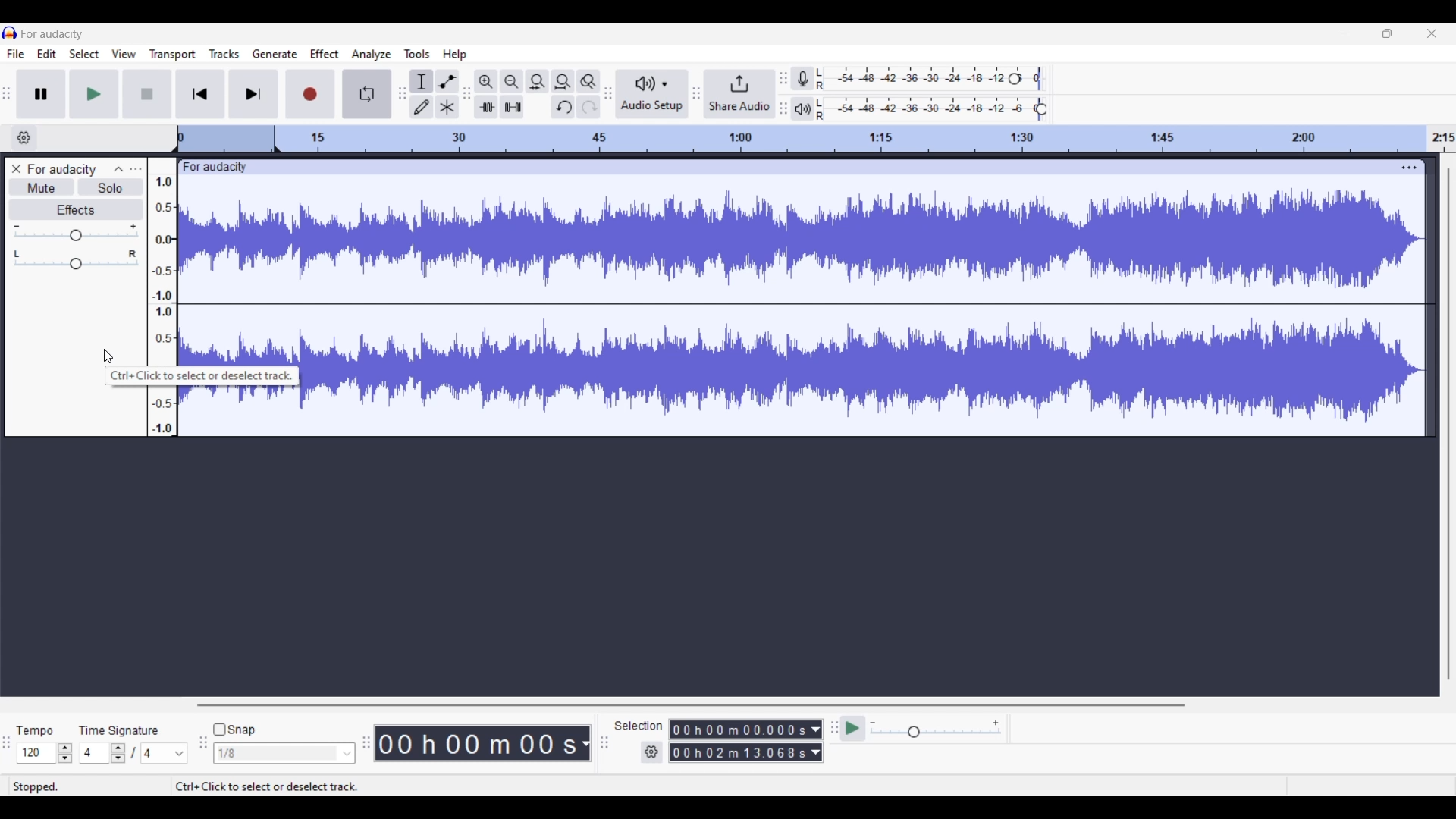 This screenshot has height=819, width=1456. I want to click on View menu, so click(124, 54).